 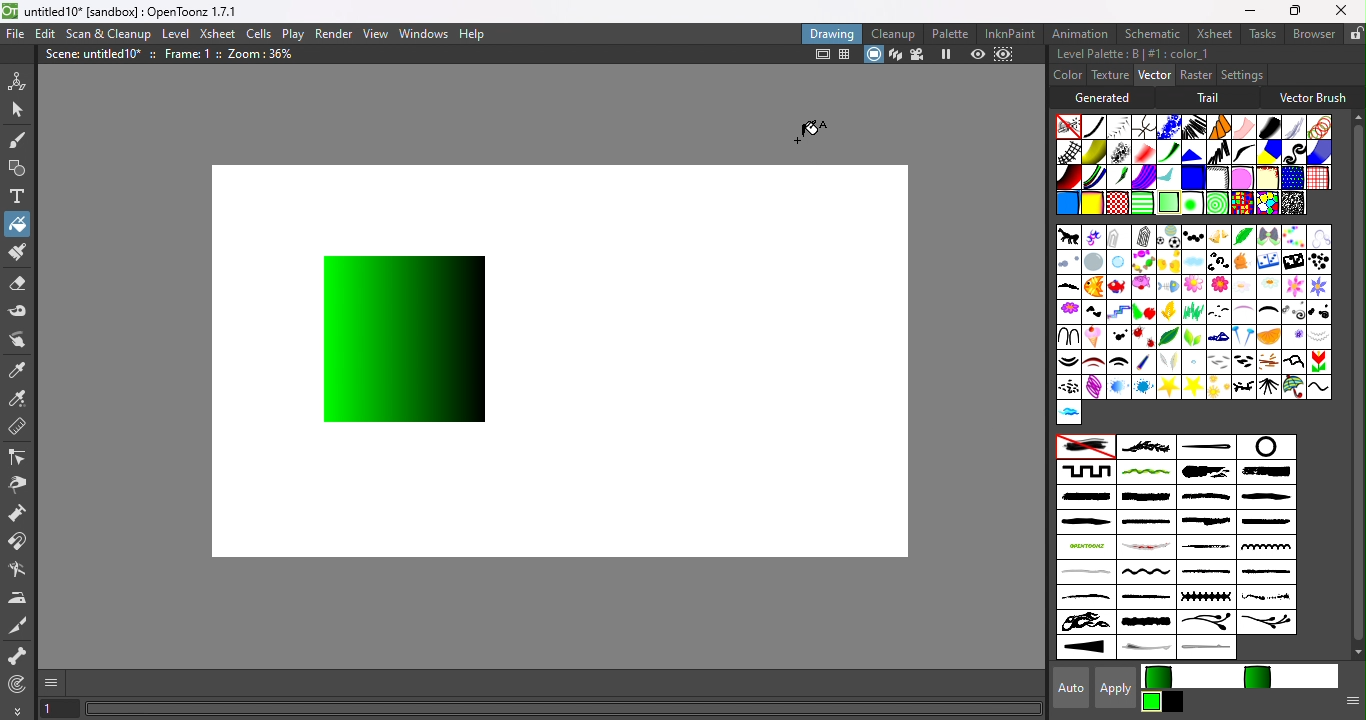 I want to click on Large_brush2, so click(x=1271, y=472).